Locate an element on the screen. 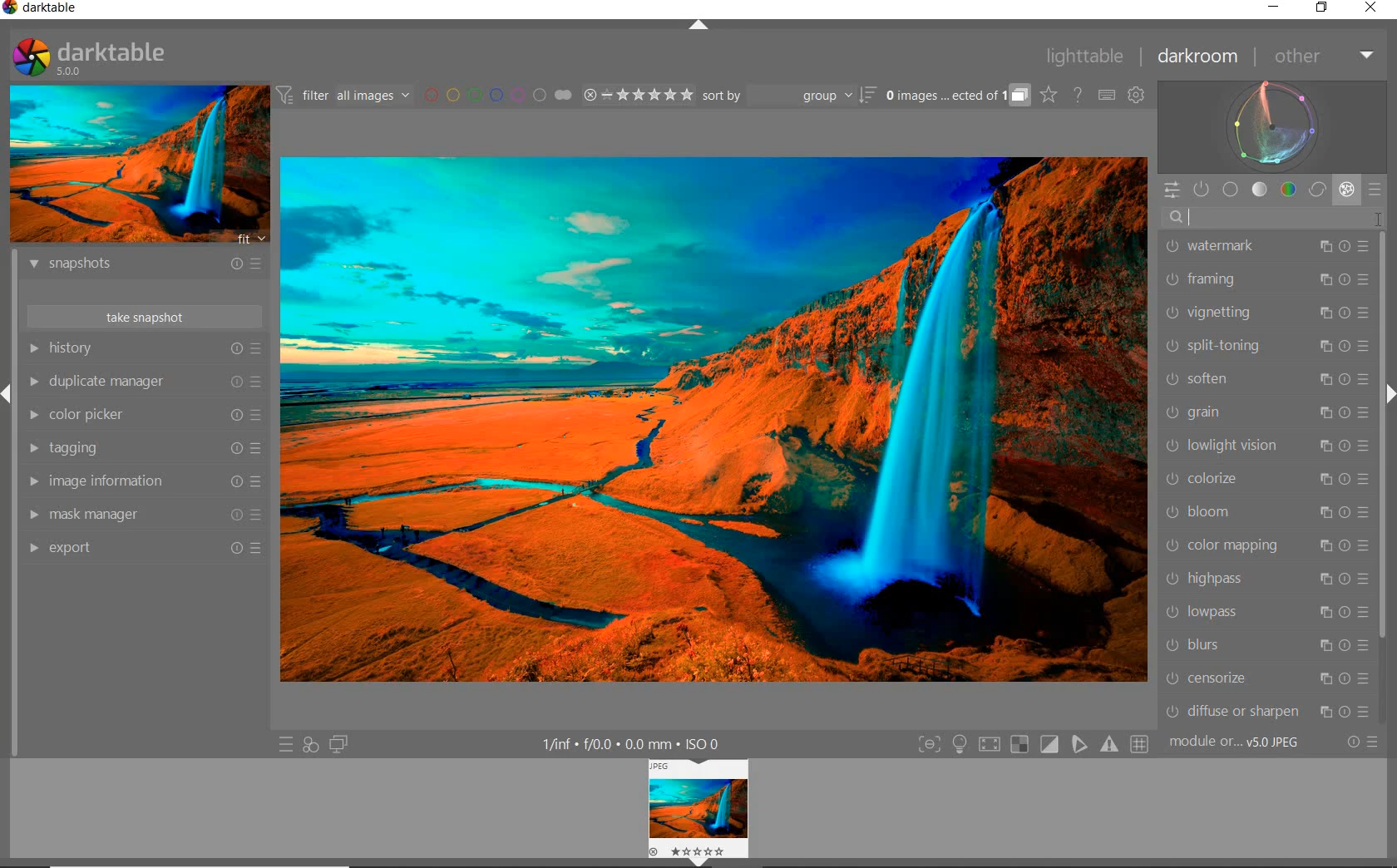  framing is located at coordinates (1268, 281).